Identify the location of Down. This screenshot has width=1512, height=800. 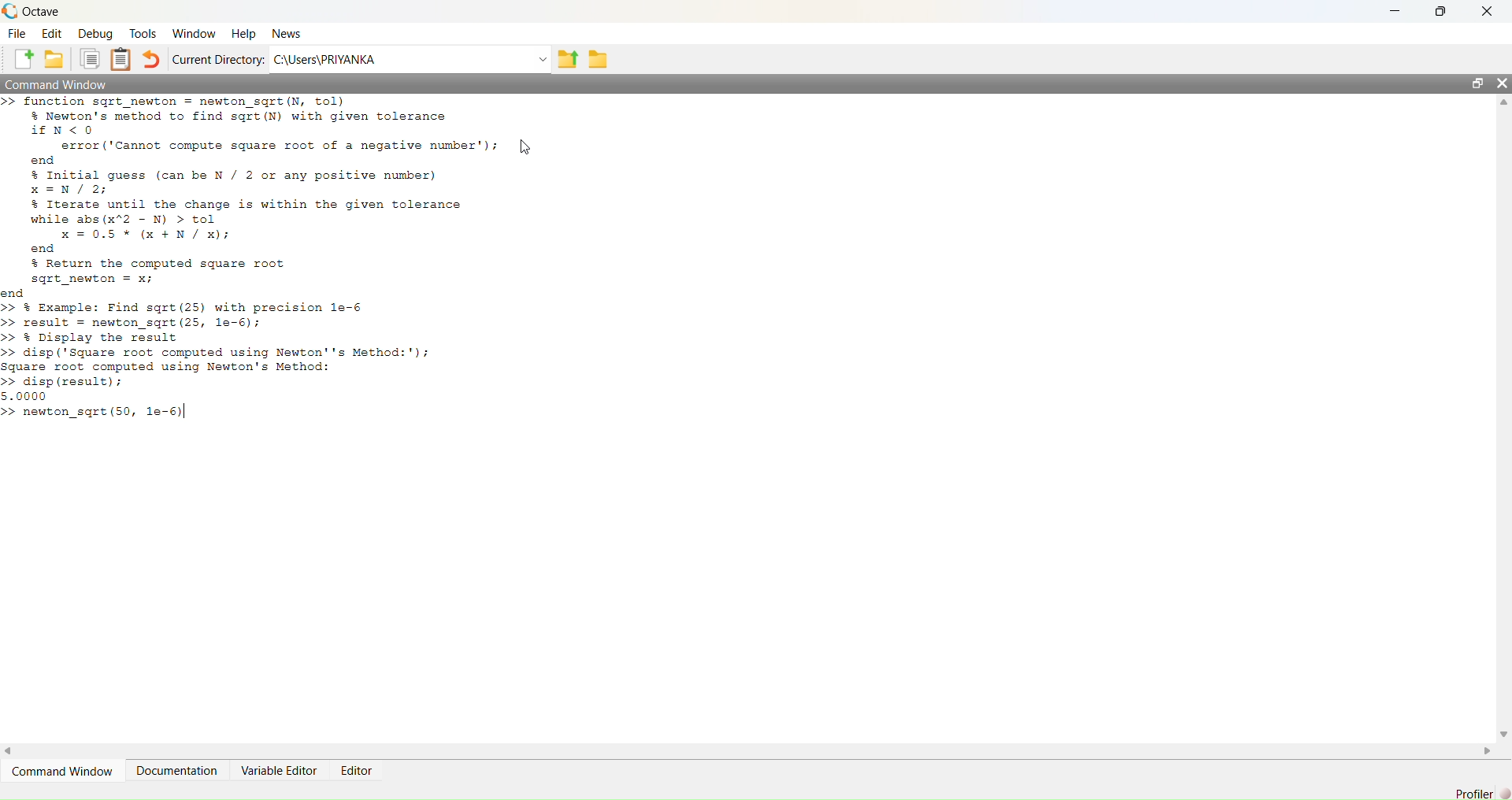
(1503, 734).